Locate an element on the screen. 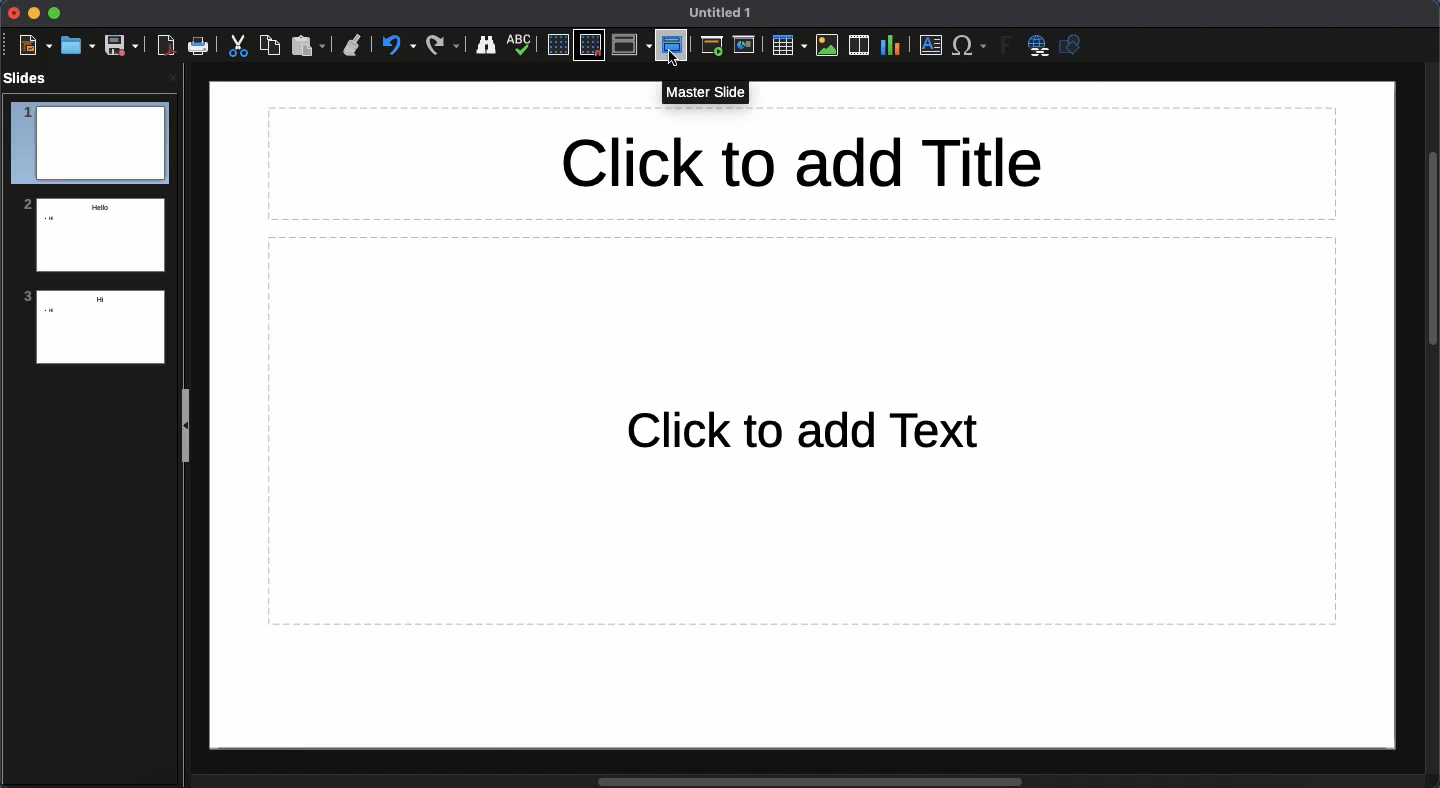 The image size is (1440, 788). cursor is located at coordinates (671, 61).